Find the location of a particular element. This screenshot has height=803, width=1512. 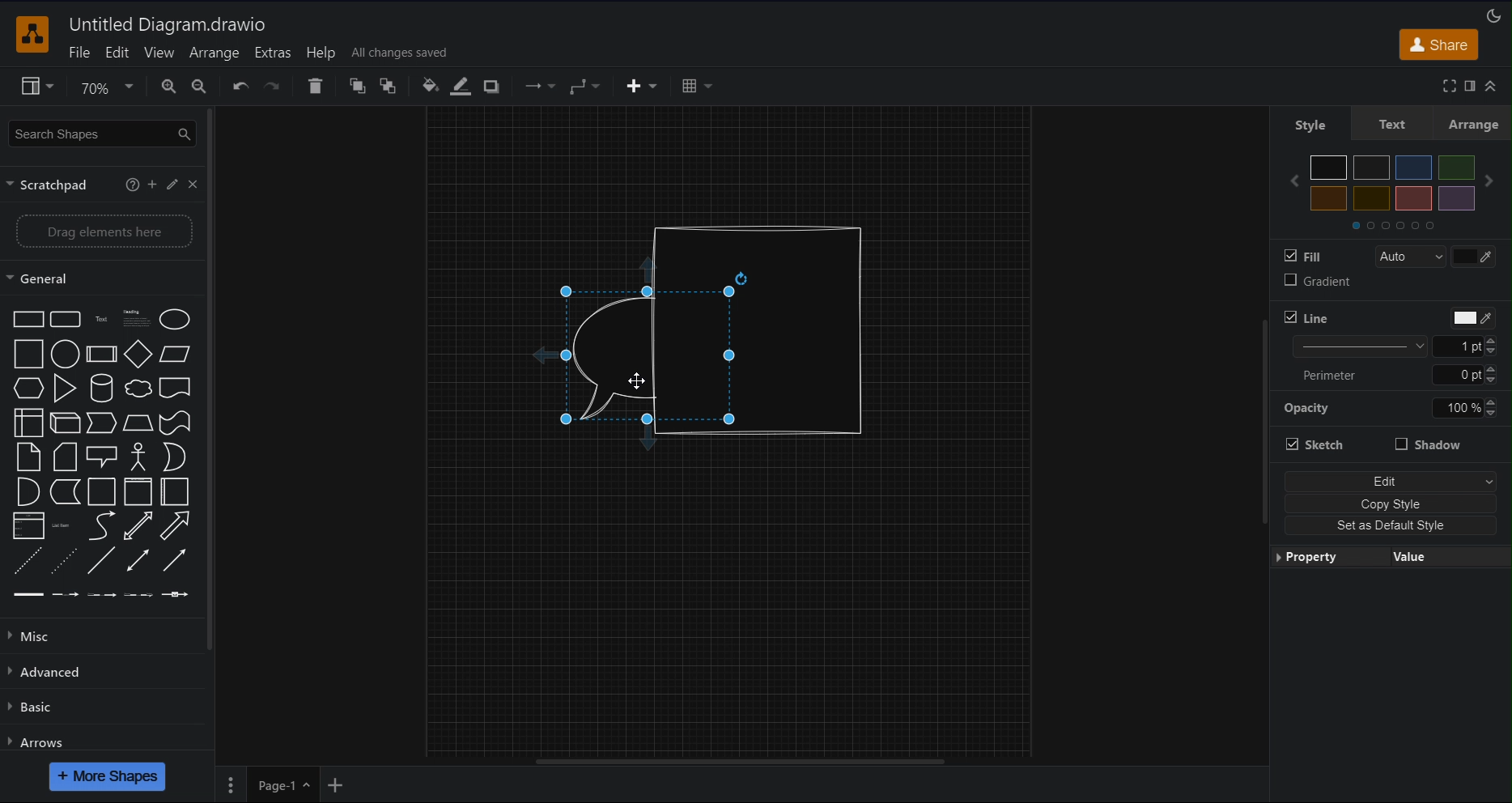

Connection is located at coordinates (540, 86).